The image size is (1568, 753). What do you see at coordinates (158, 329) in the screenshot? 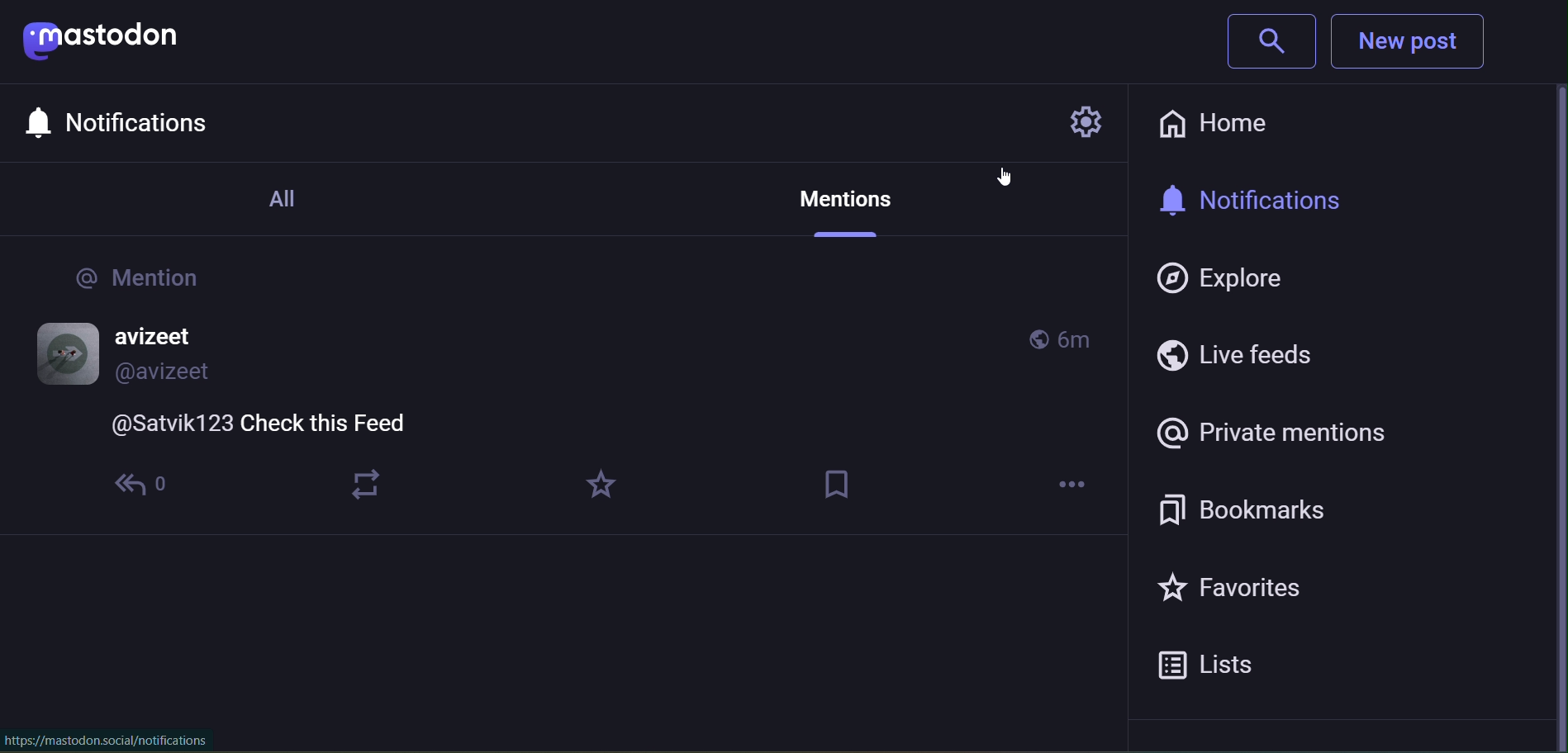
I see `avizeet` at bounding box center [158, 329].